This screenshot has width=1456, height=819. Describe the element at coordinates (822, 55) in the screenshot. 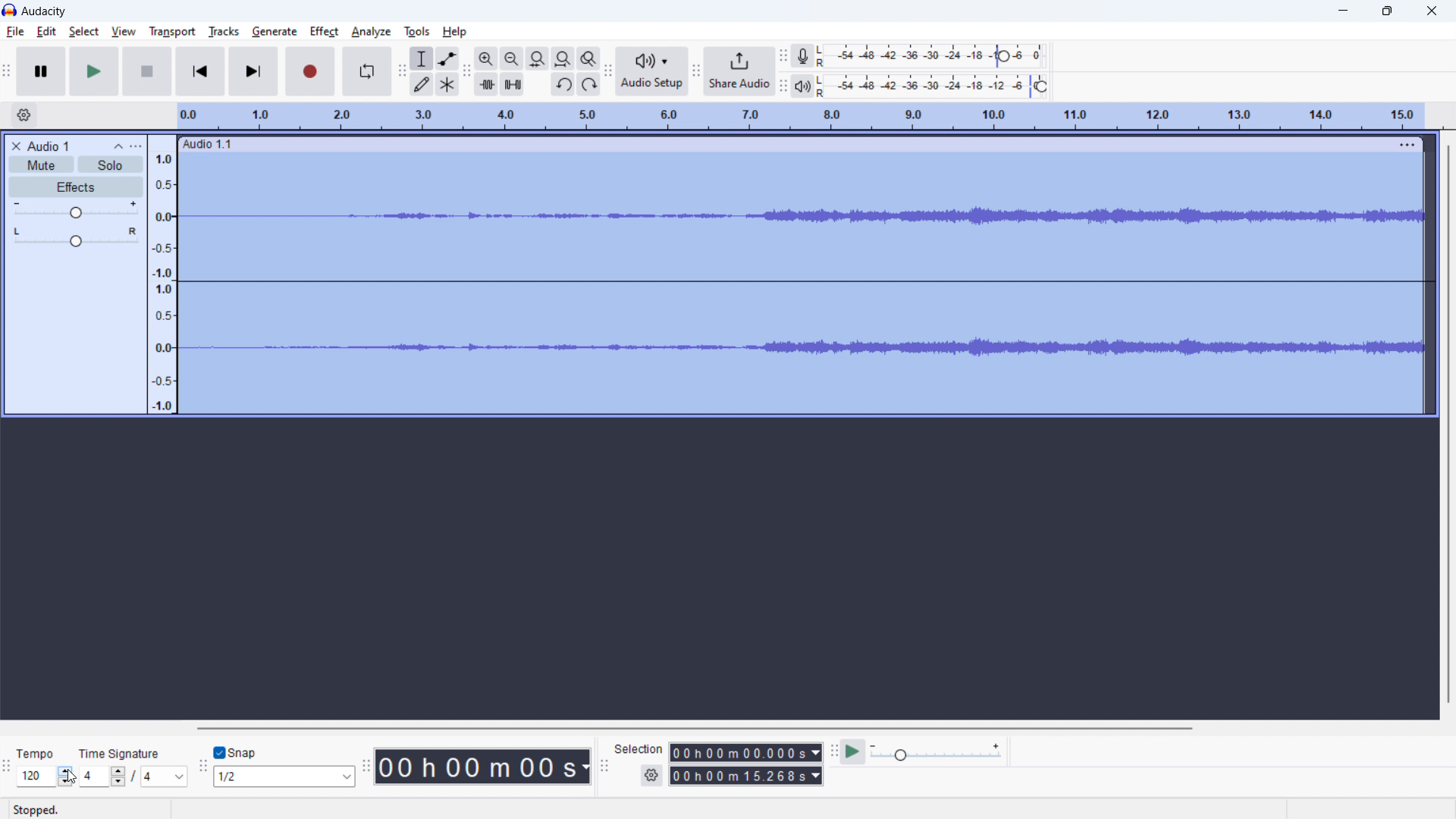

I see `LR` at that location.